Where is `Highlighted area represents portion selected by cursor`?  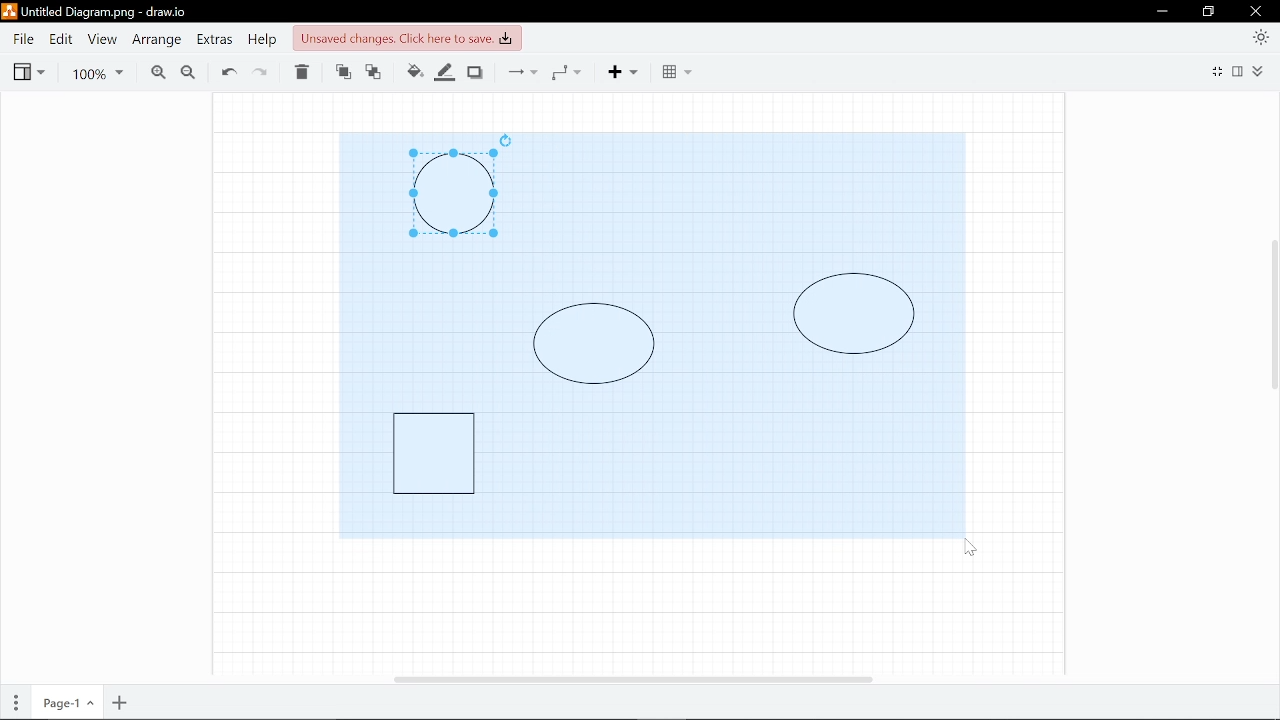
Highlighted area represents portion selected by cursor is located at coordinates (429, 316).